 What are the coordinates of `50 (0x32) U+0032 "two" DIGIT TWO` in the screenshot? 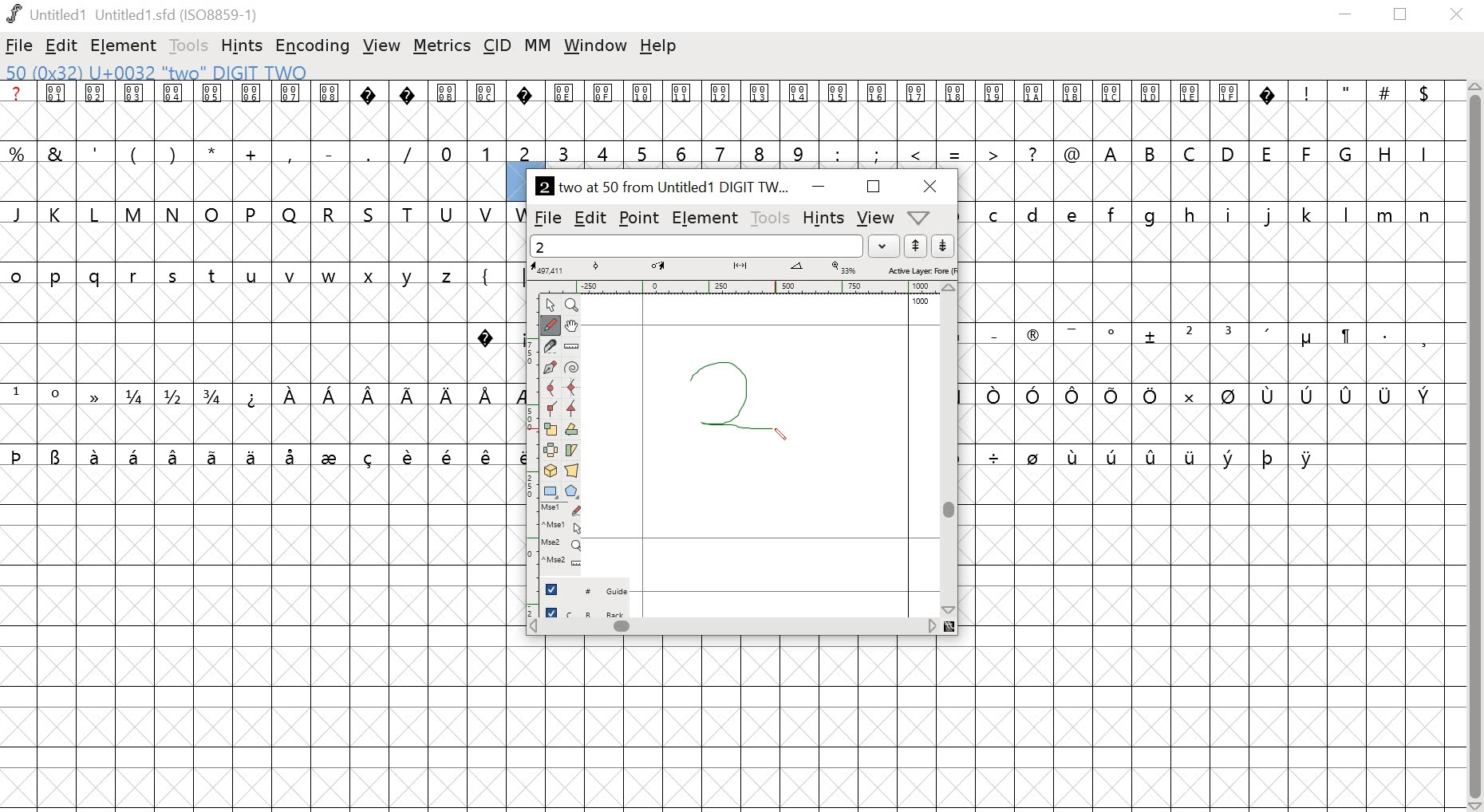 It's located at (160, 73).